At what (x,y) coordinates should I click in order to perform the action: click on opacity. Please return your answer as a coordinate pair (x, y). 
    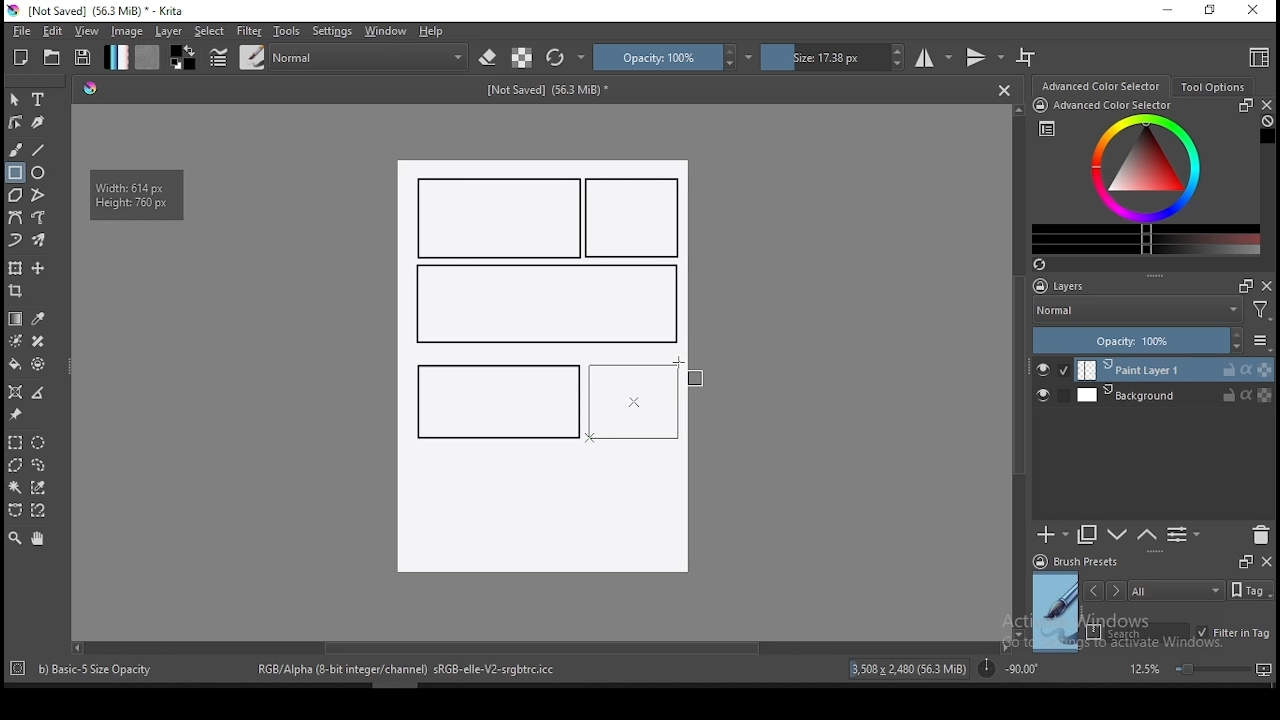
    Looking at the image, I should click on (673, 57).